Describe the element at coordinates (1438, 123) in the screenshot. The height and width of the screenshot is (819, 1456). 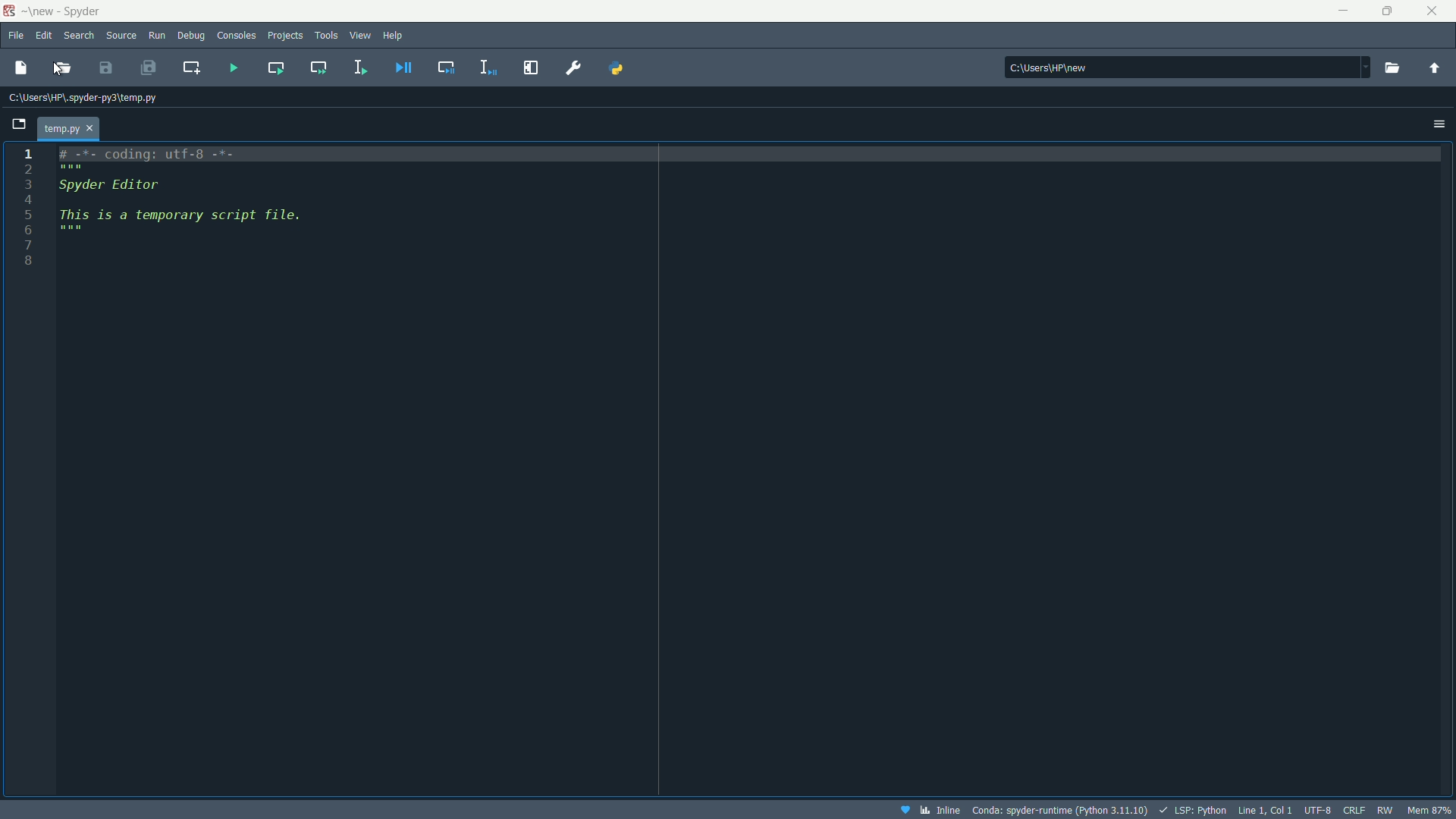
I see `Options` at that location.